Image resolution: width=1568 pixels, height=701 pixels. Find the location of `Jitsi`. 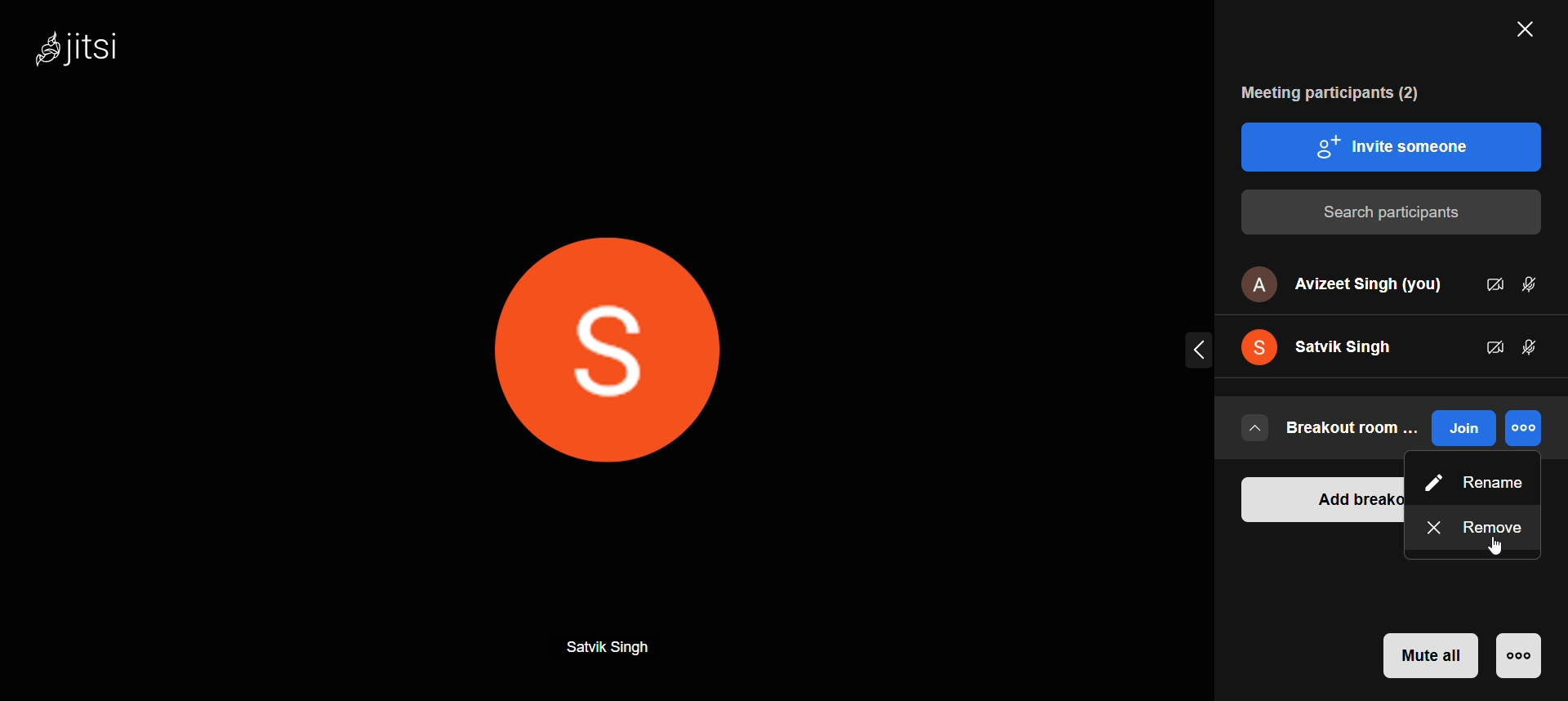

Jitsi is located at coordinates (100, 55).